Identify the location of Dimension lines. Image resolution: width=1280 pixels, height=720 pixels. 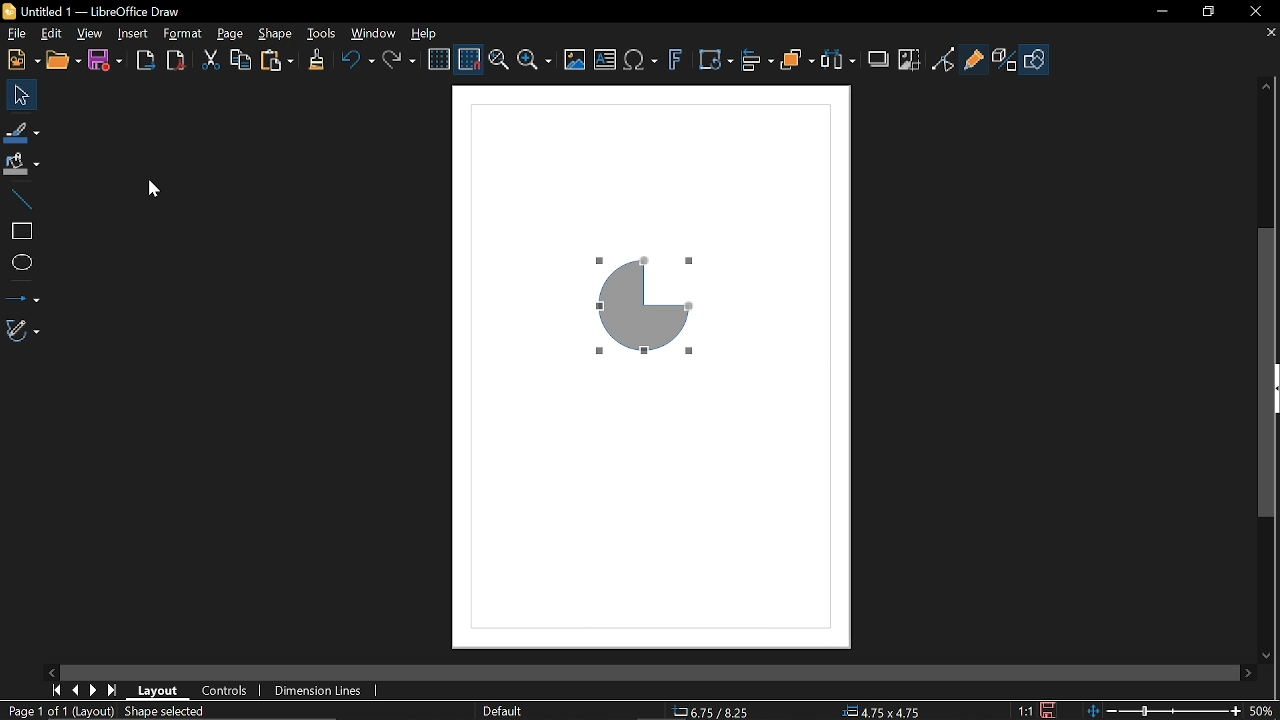
(318, 691).